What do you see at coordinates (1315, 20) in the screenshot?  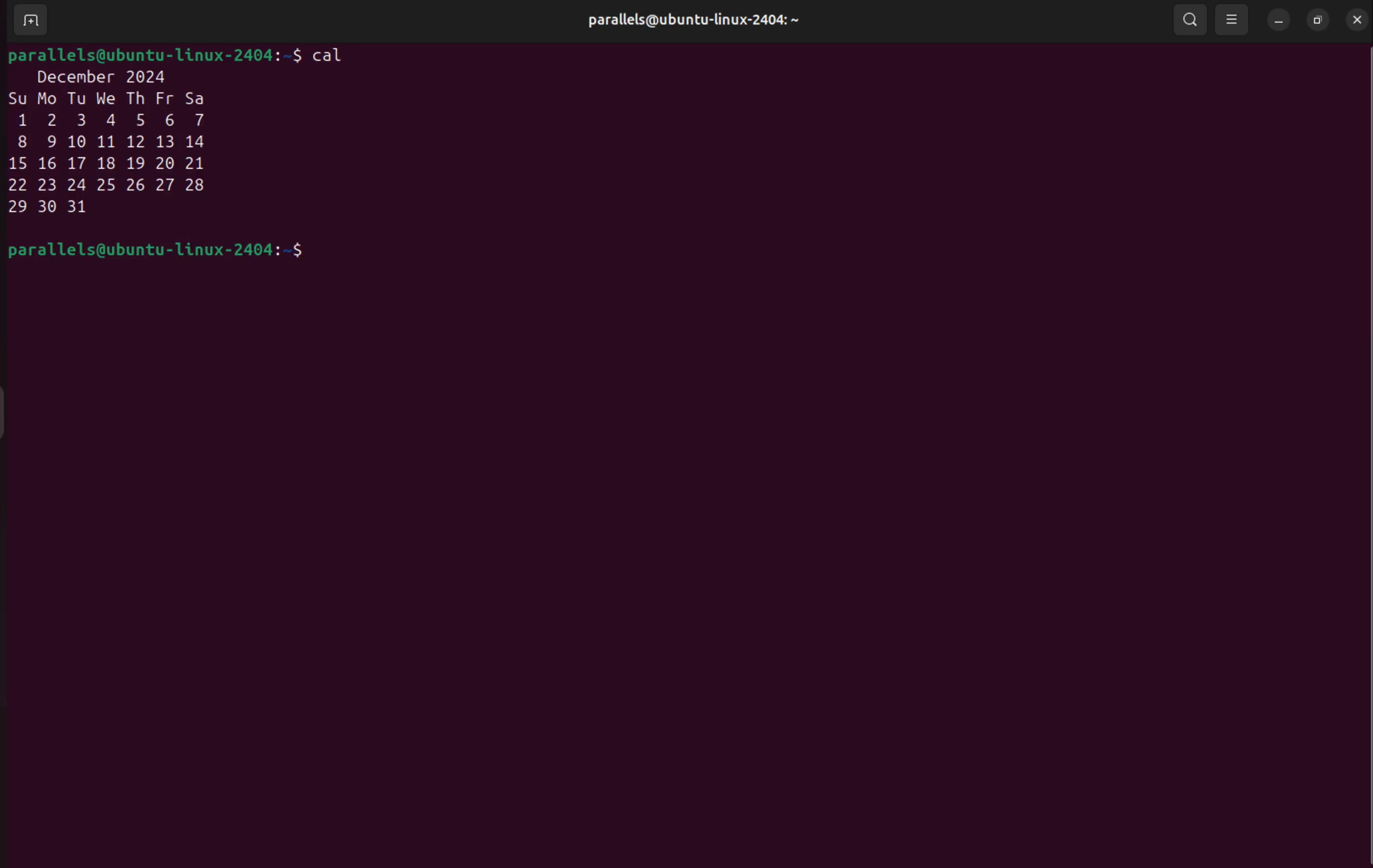 I see `resize` at bounding box center [1315, 20].